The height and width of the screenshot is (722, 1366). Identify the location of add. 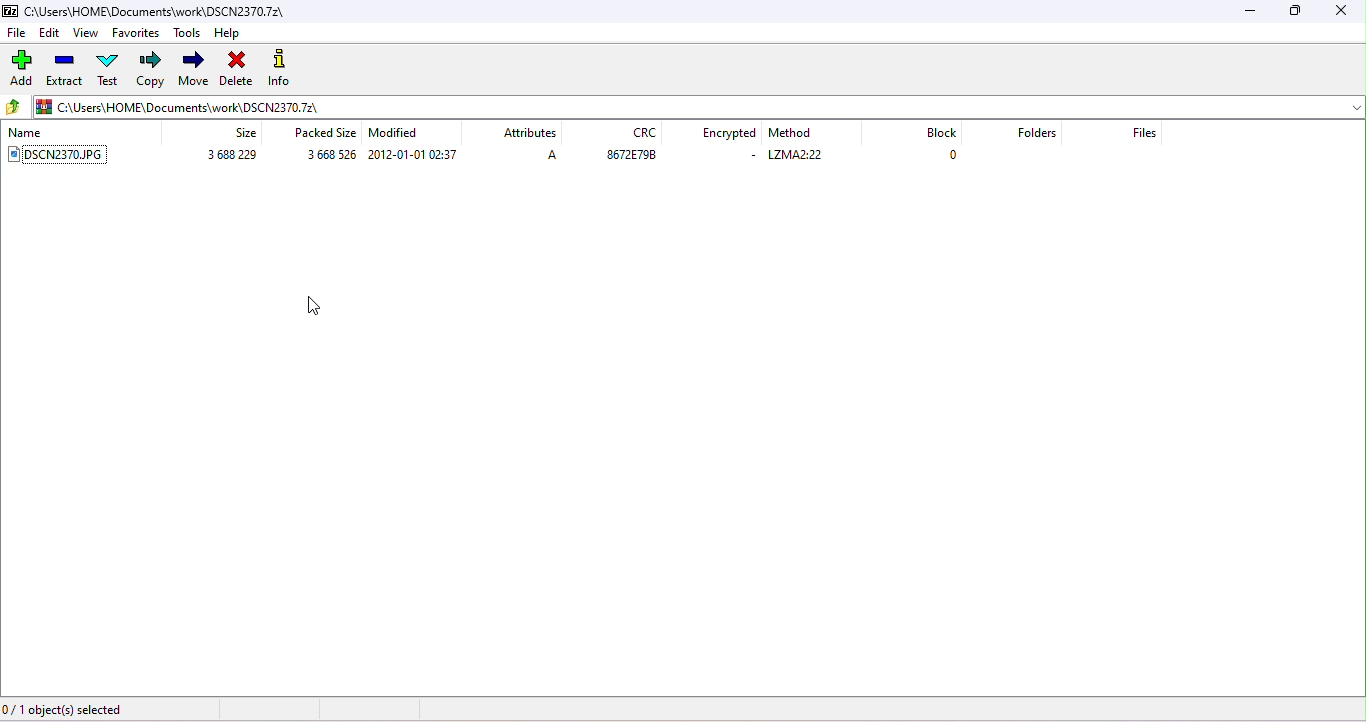
(21, 69).